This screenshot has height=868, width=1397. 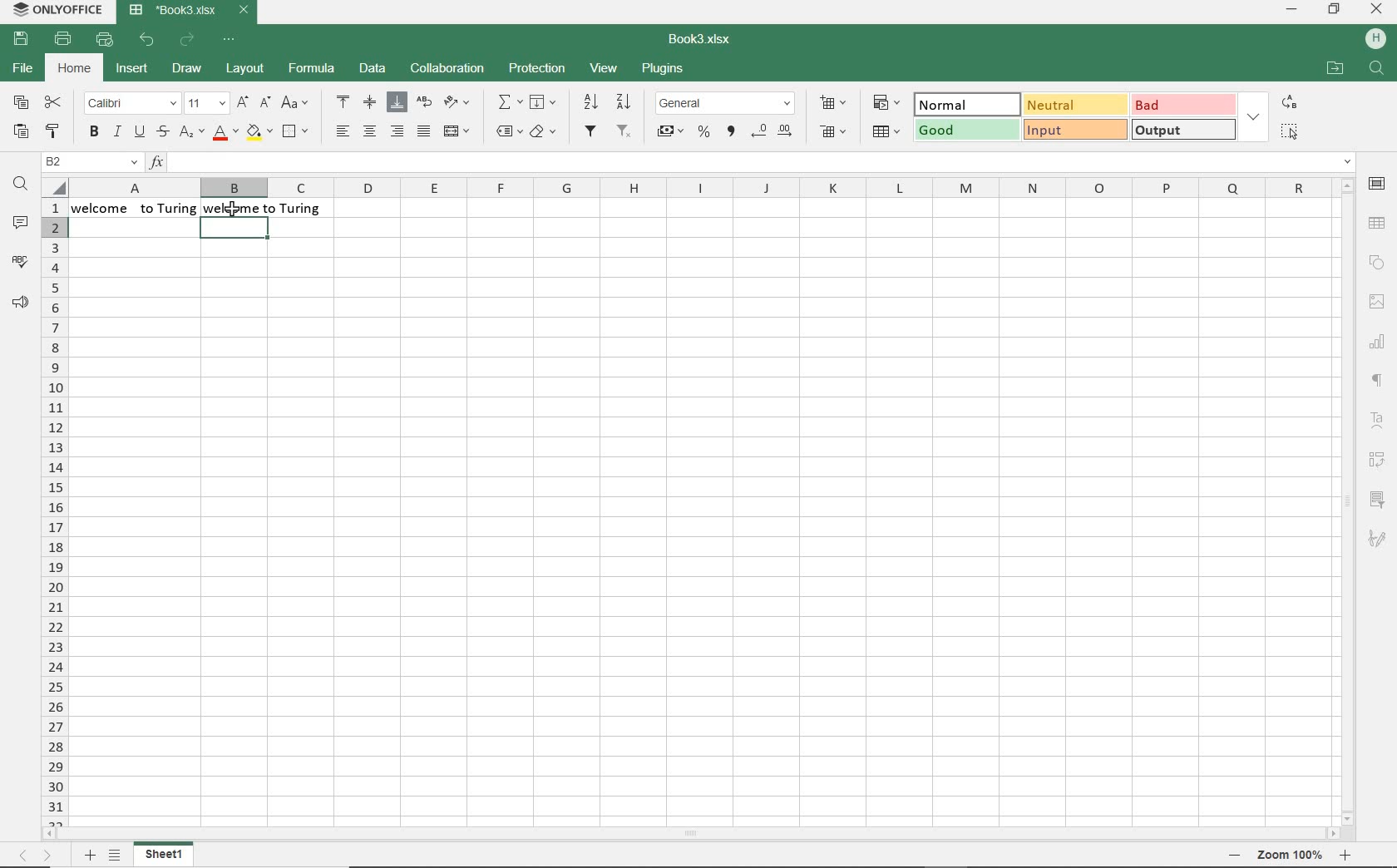 What do you see at coordinates (1376, 263) in the screenshot?
I see `shape` at bounding box center [1376, 263].